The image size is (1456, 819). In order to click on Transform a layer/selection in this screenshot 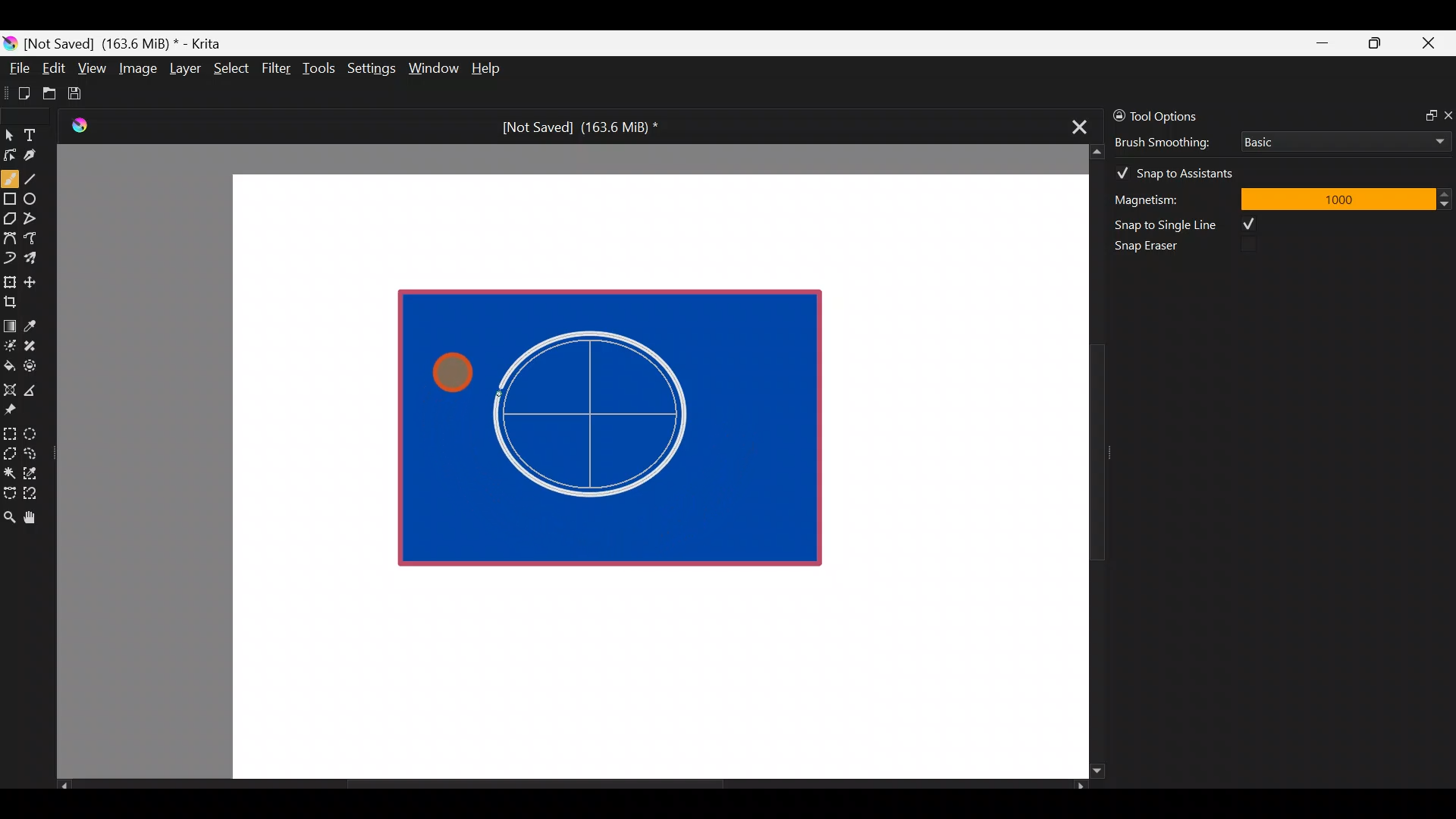, I will do `click(9, 279)`.